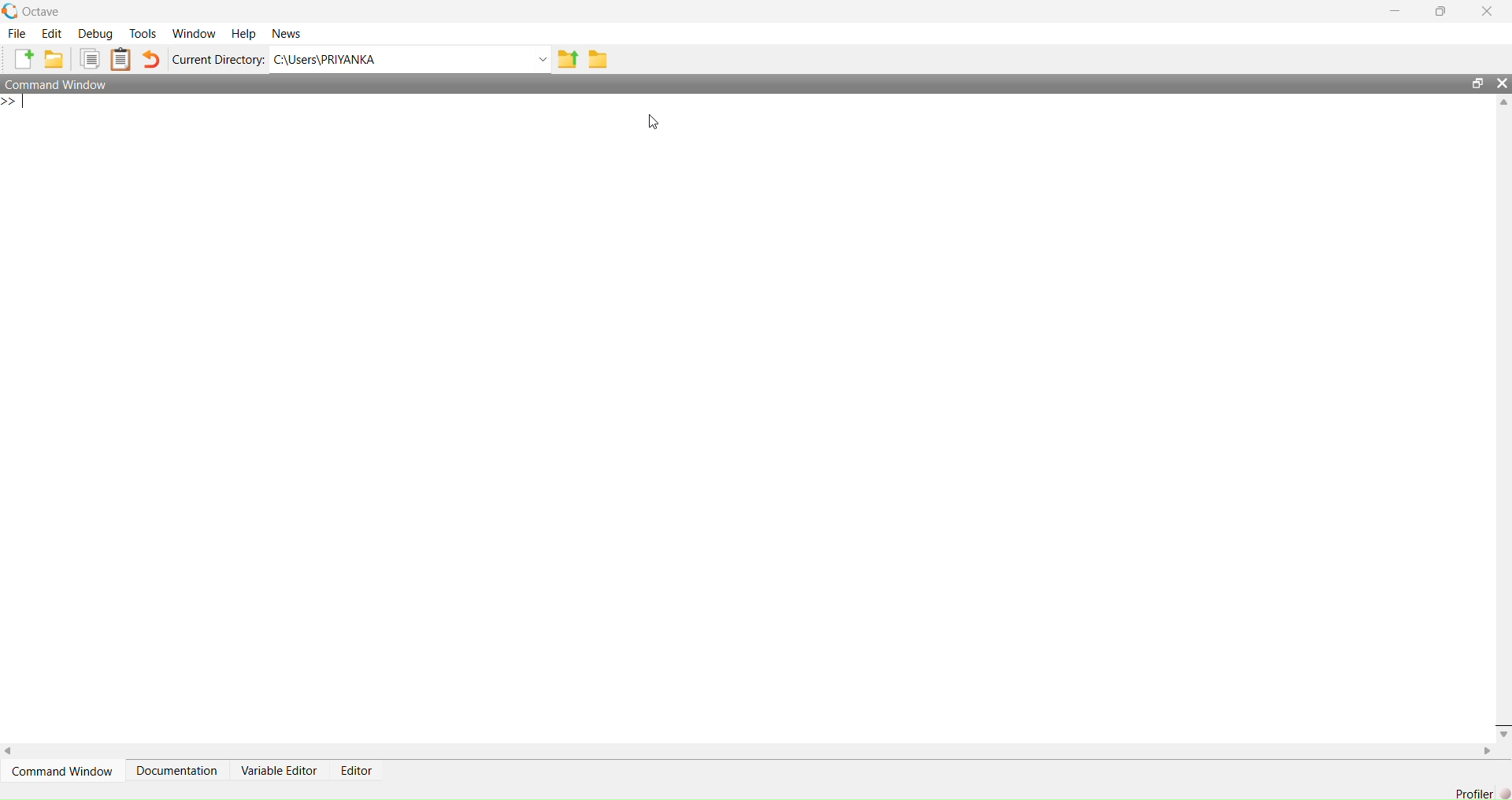  What do you see at coordinates (151, 61) in the screenshot?
I see `Revert` at bounding box center [151, 61].